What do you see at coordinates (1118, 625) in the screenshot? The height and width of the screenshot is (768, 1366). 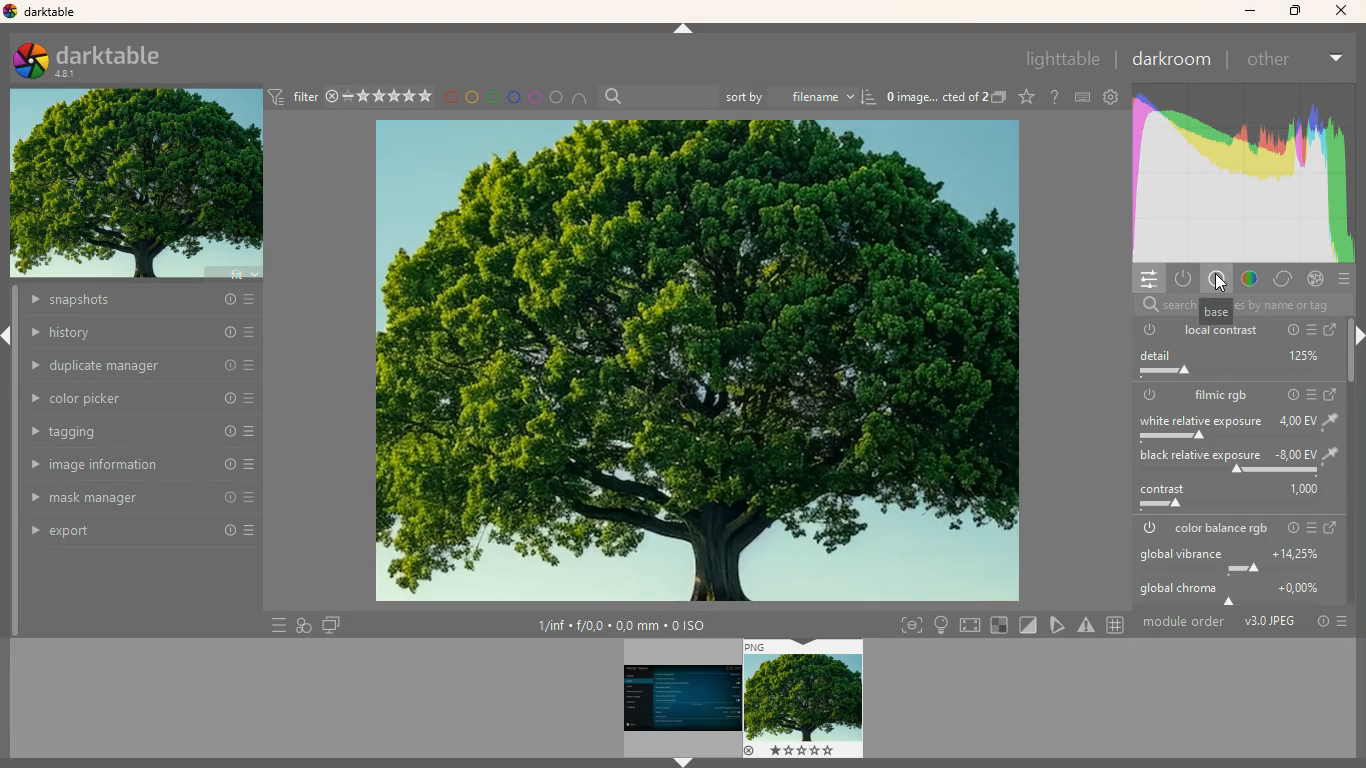 I see `hashtag` at bounding box center [1118, 625].